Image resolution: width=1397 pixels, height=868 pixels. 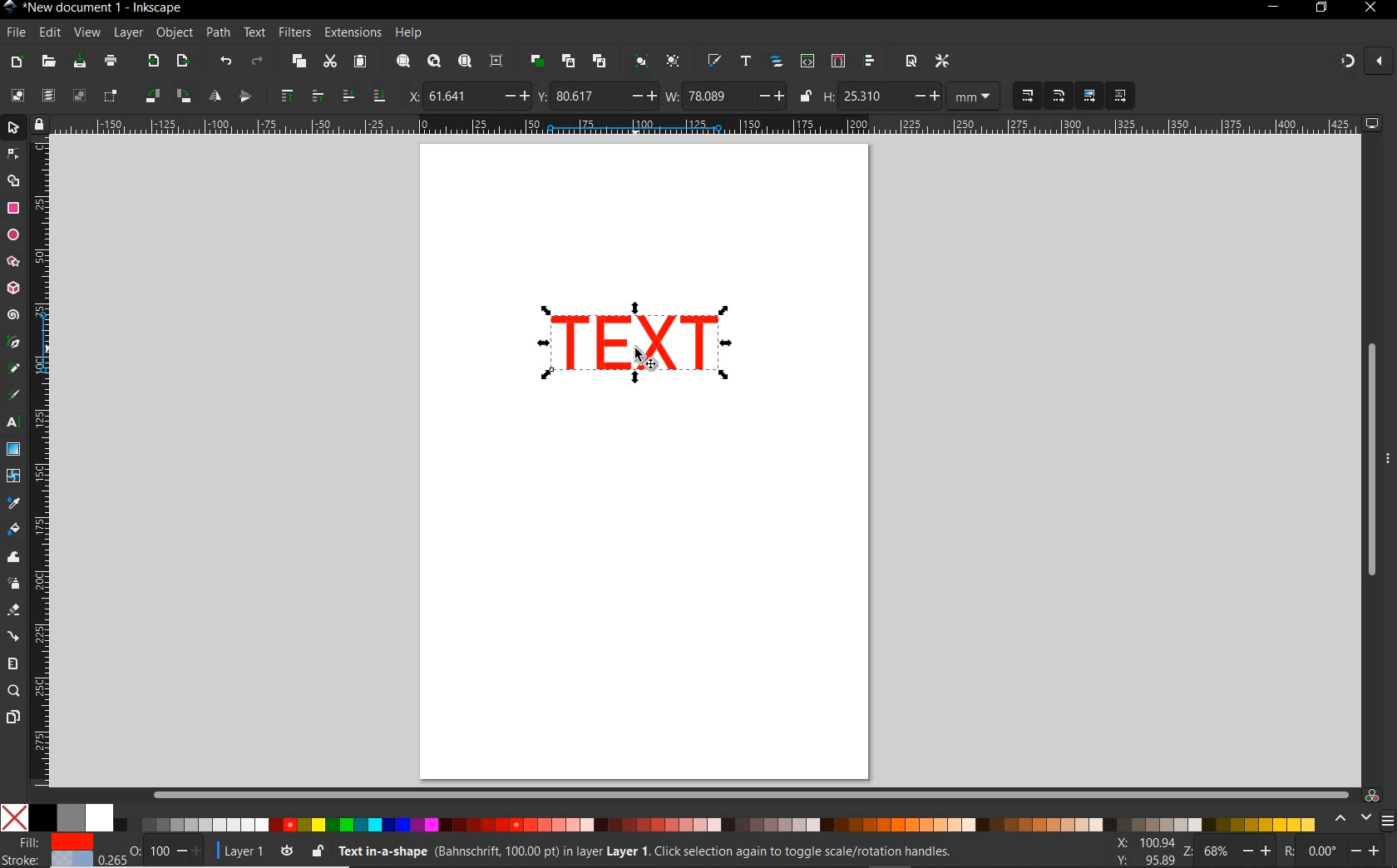 What do you see at coordinates (707, 126) in the screenshot?
I see `ruler` at bounding box center [707, 126].